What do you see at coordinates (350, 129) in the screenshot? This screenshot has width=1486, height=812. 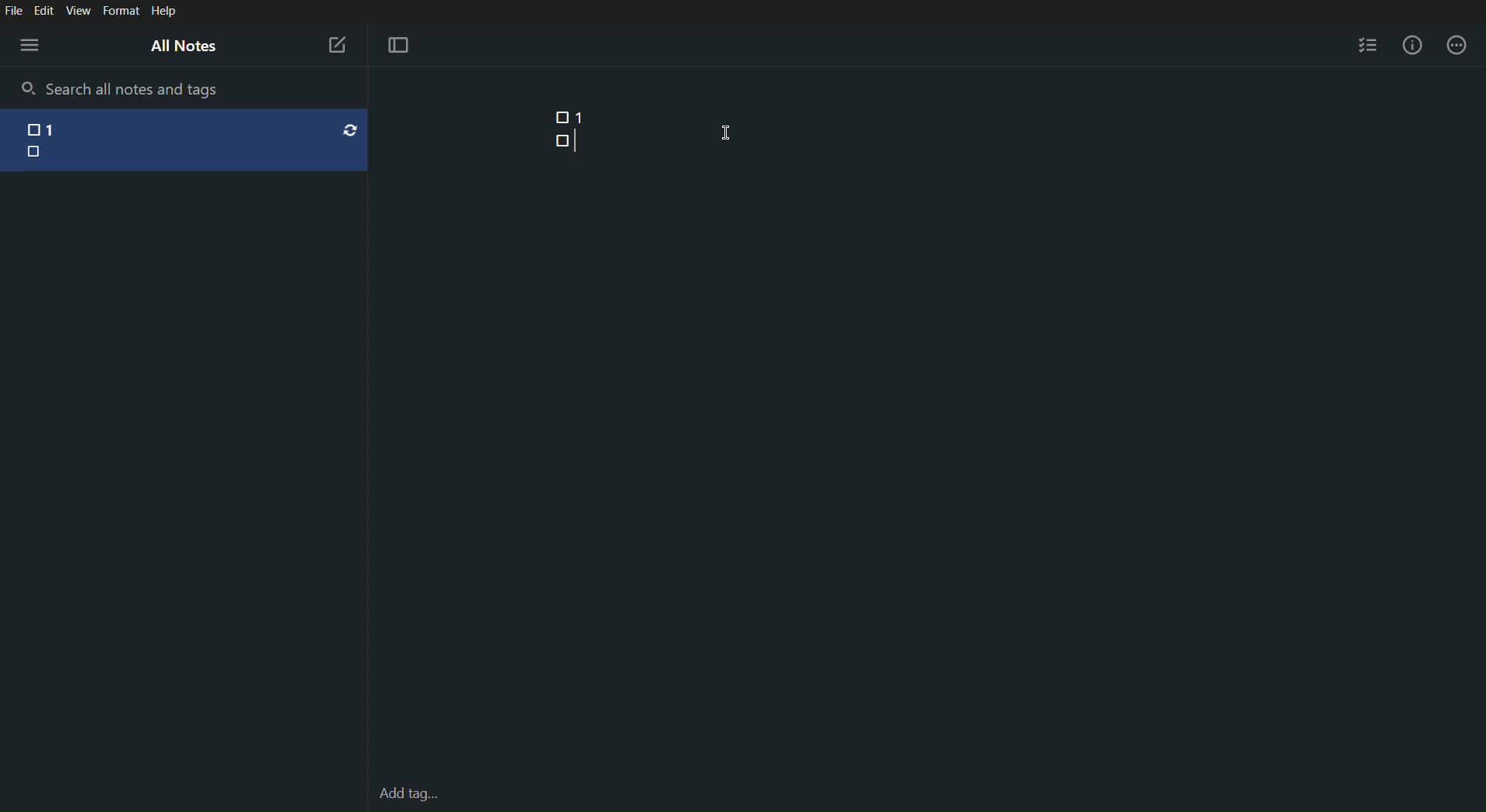 I see `reset` at bounding box center [350, 129].